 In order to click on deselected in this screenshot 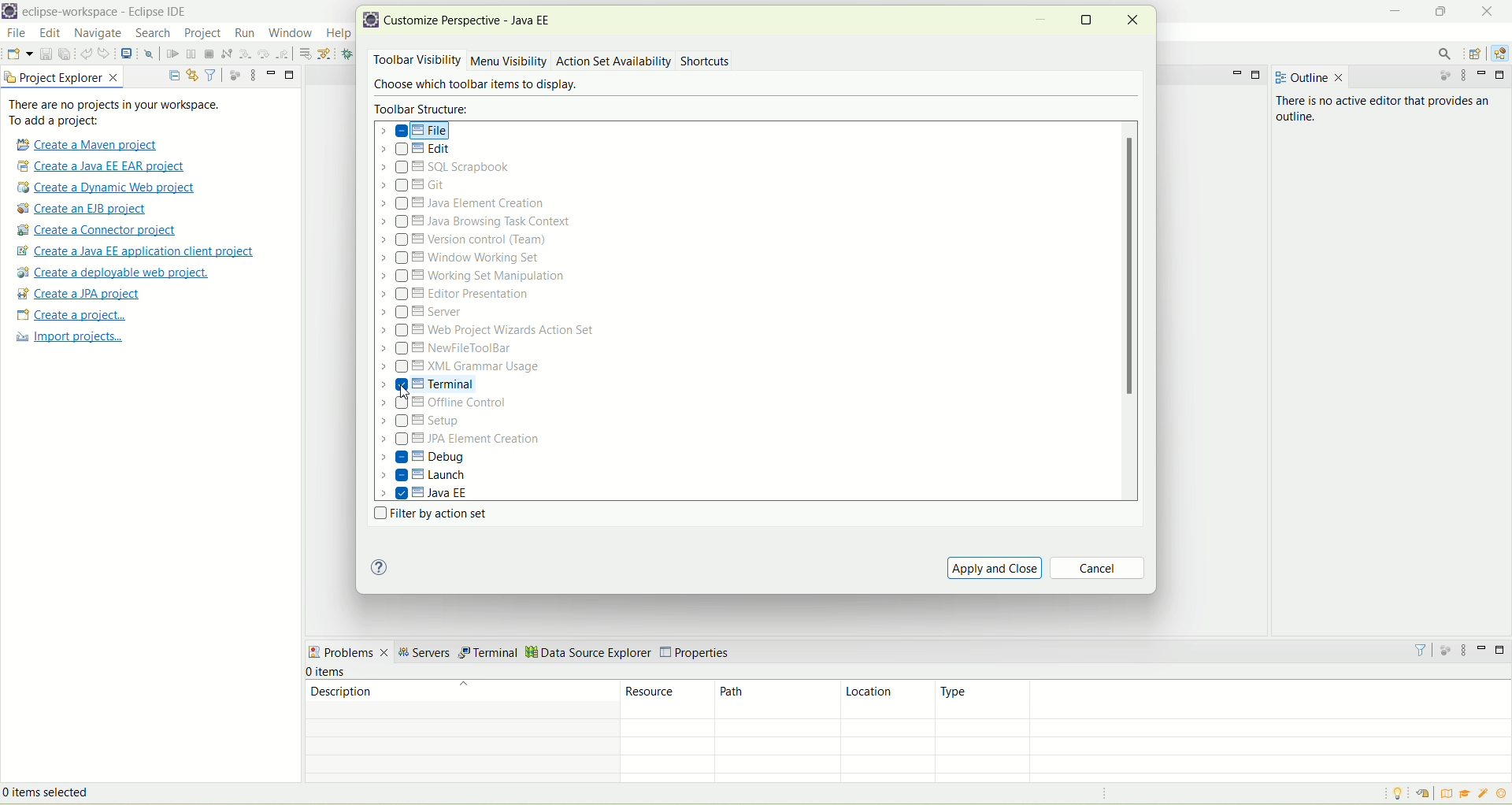, I will do `click(401, 151)`.